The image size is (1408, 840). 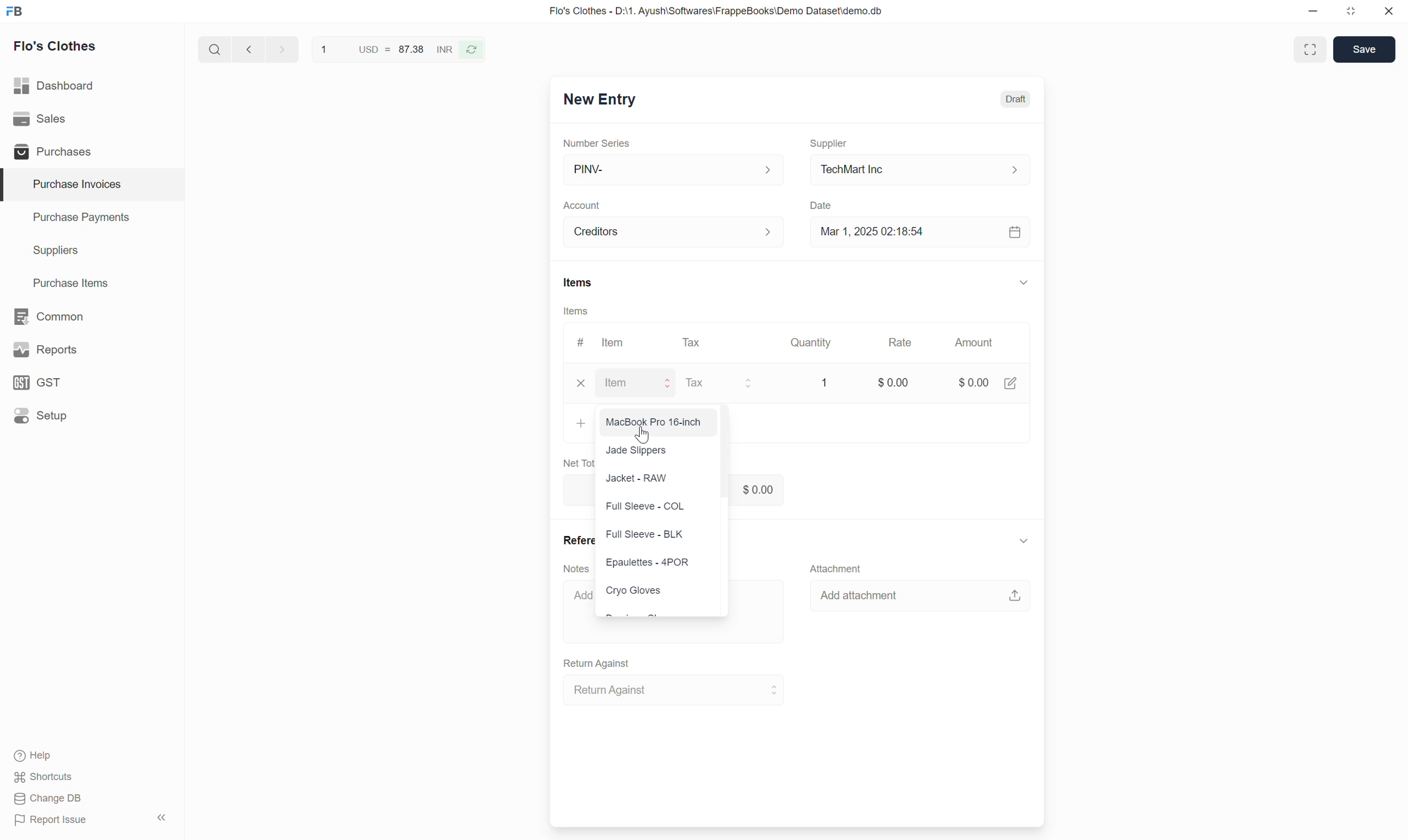 I want to click on Tax, so click(x=695, y=342).